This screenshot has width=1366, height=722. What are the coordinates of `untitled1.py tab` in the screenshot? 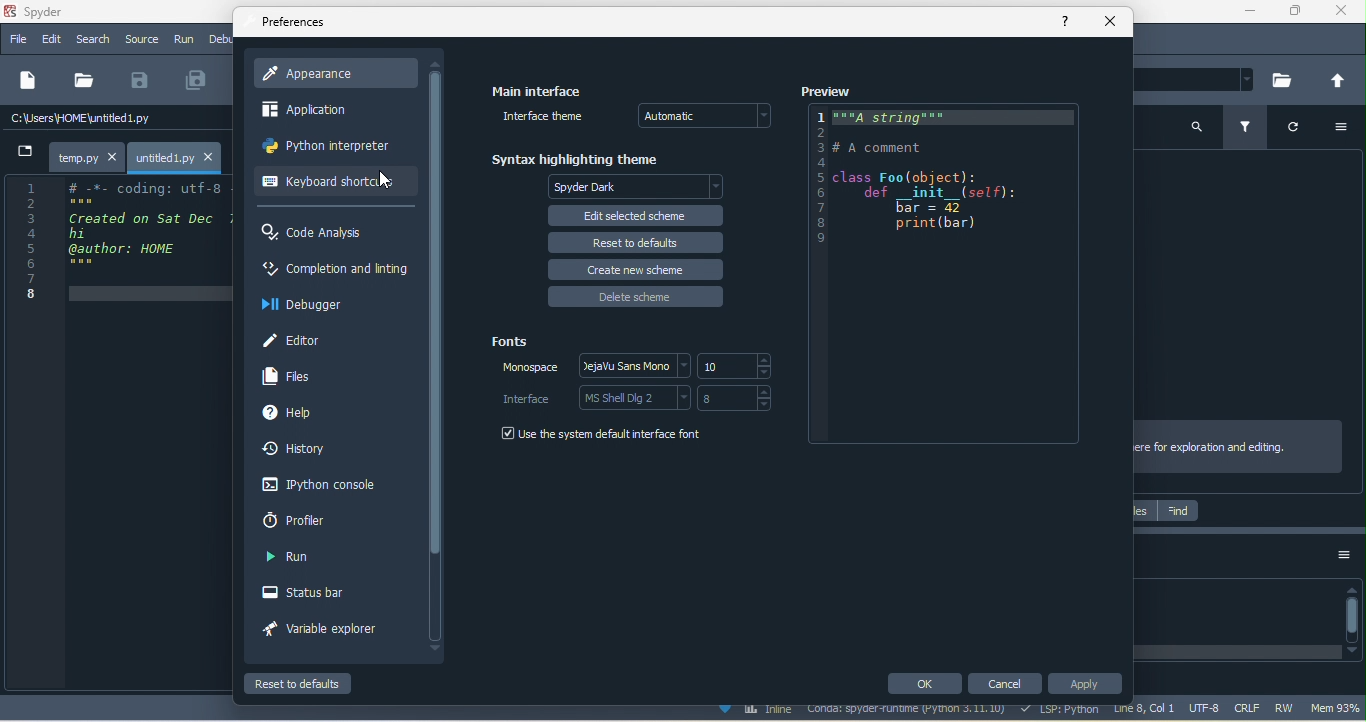 It's located at (178, 156).